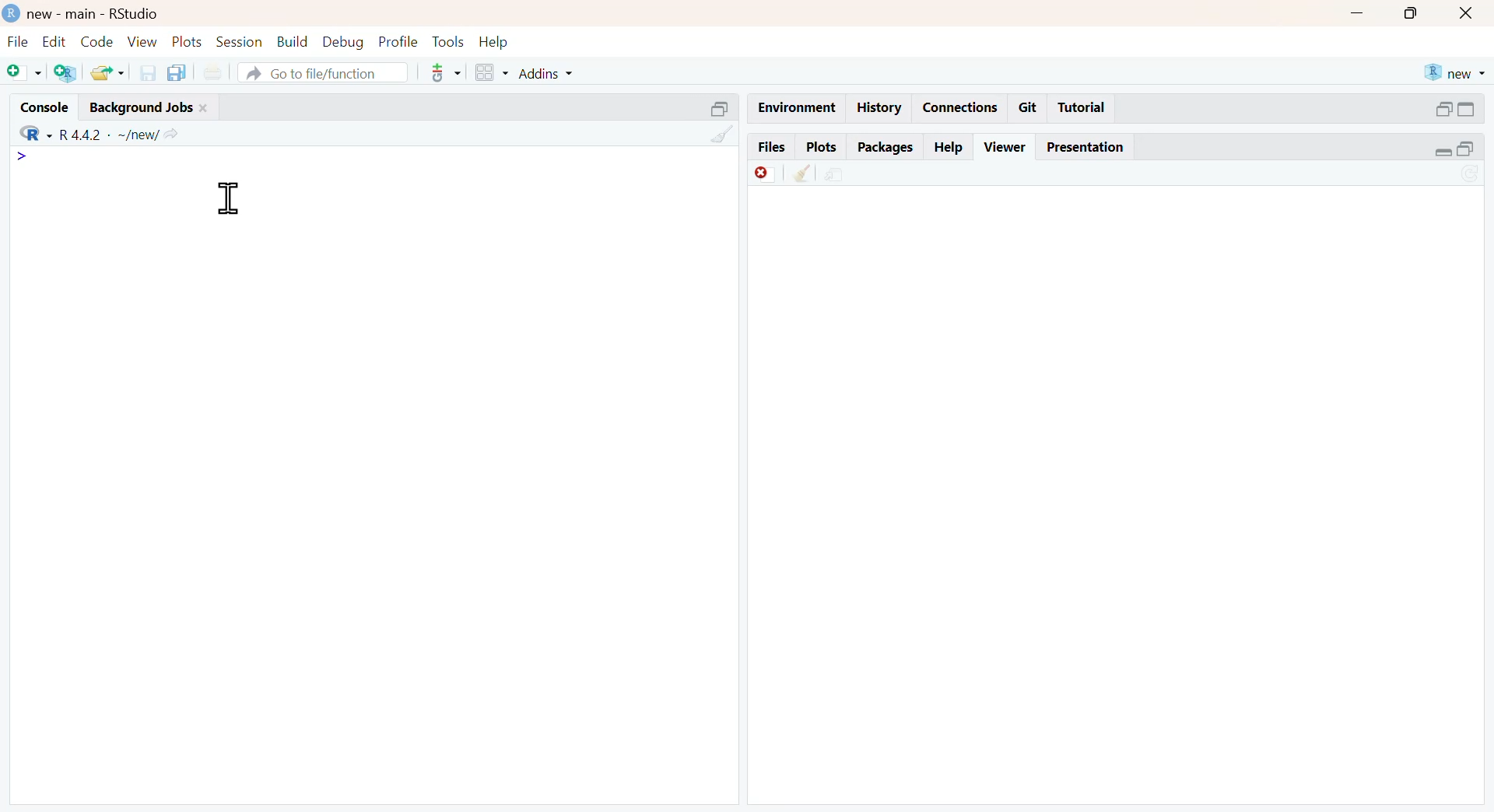  Describe the element at coordinates (1082, 108) in the screenshot. I see `tutorial` at that location.